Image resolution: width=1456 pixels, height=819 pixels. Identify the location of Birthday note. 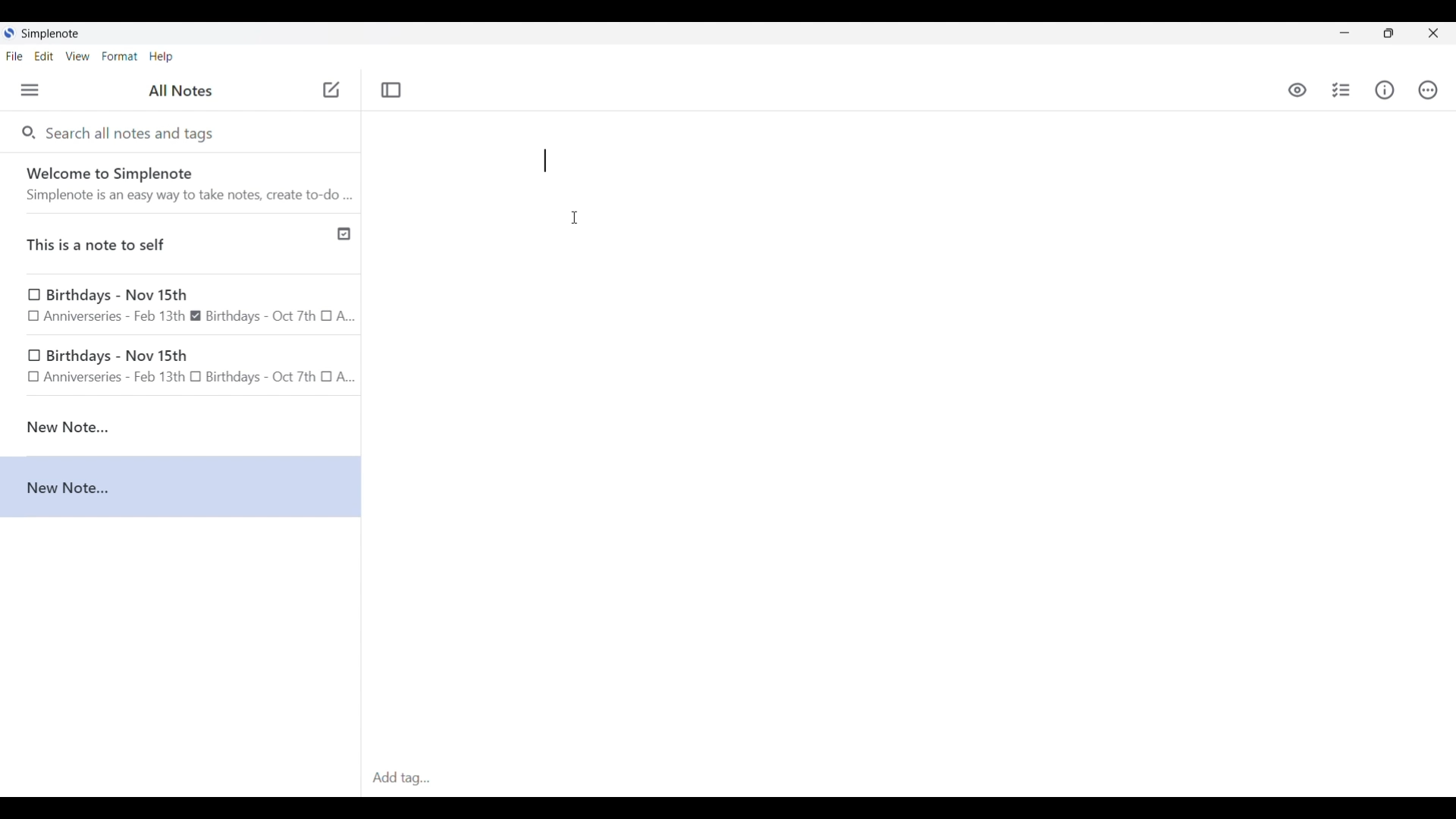
(181, 306).